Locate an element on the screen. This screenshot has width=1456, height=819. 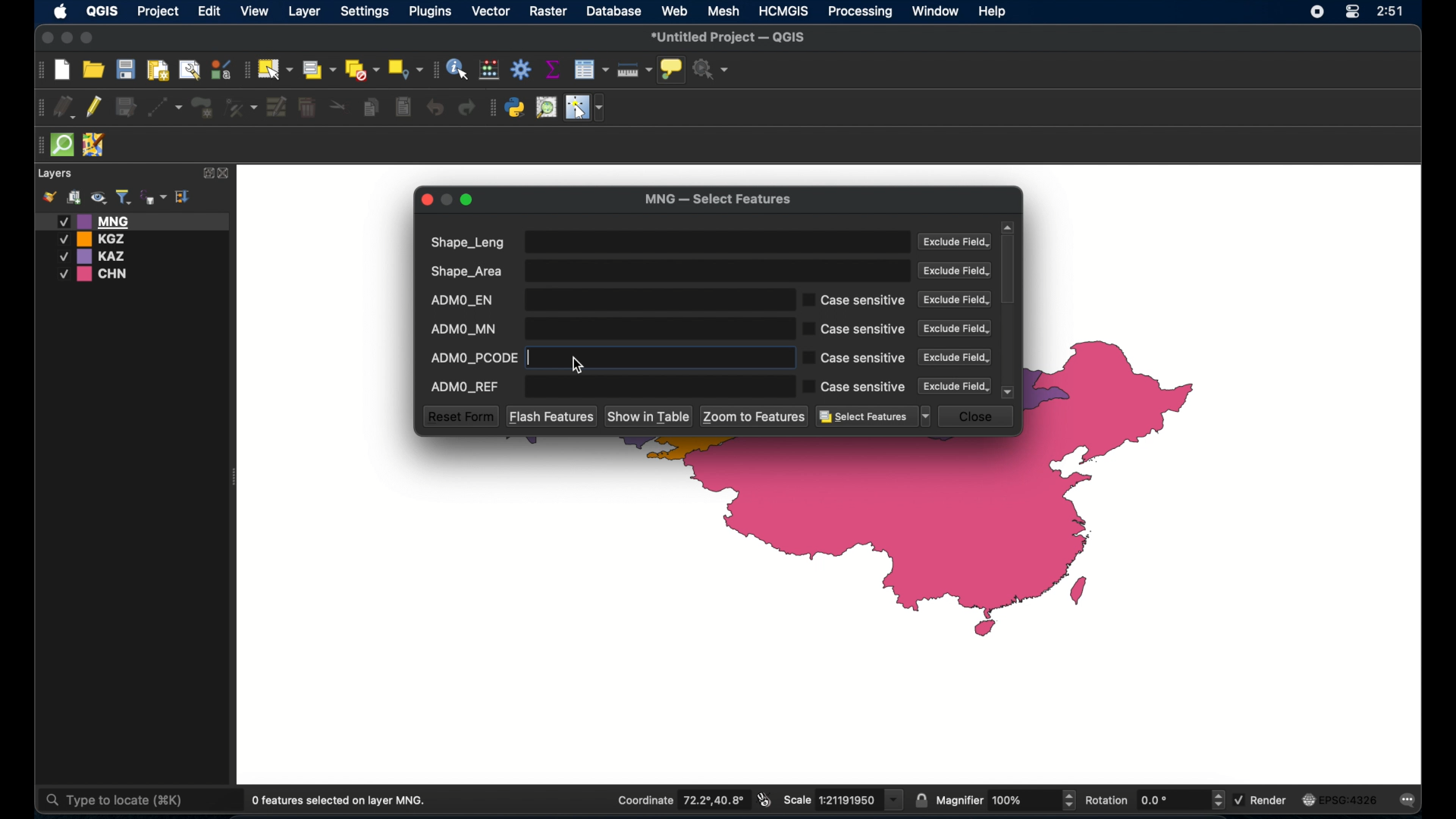
2:51 is located at coordinates (1389, 12).